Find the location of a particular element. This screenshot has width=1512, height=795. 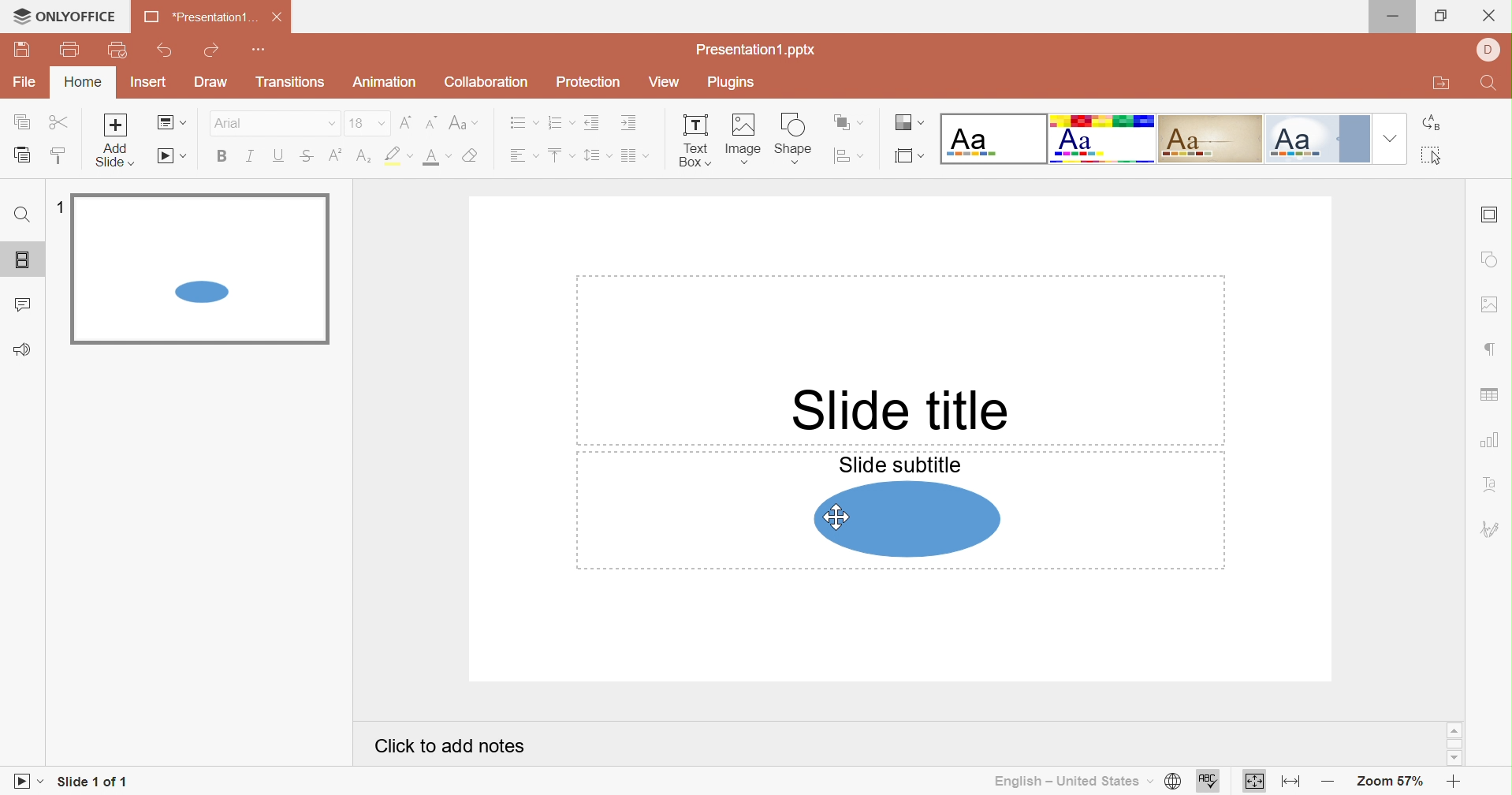

Italic is located at coordinates (251, 156).